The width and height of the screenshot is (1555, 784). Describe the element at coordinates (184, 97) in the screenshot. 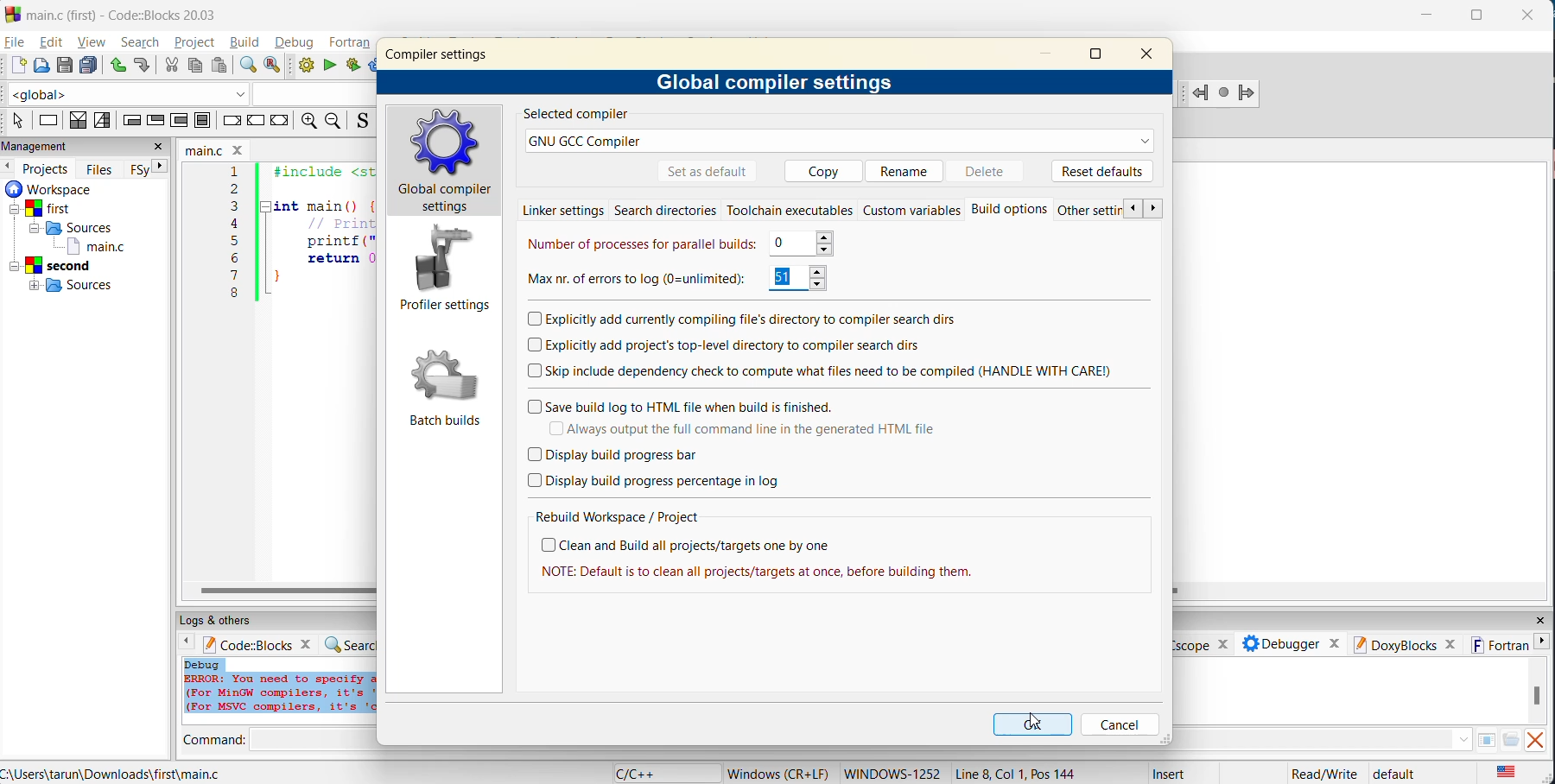

I see `code completion compiler` at that location.